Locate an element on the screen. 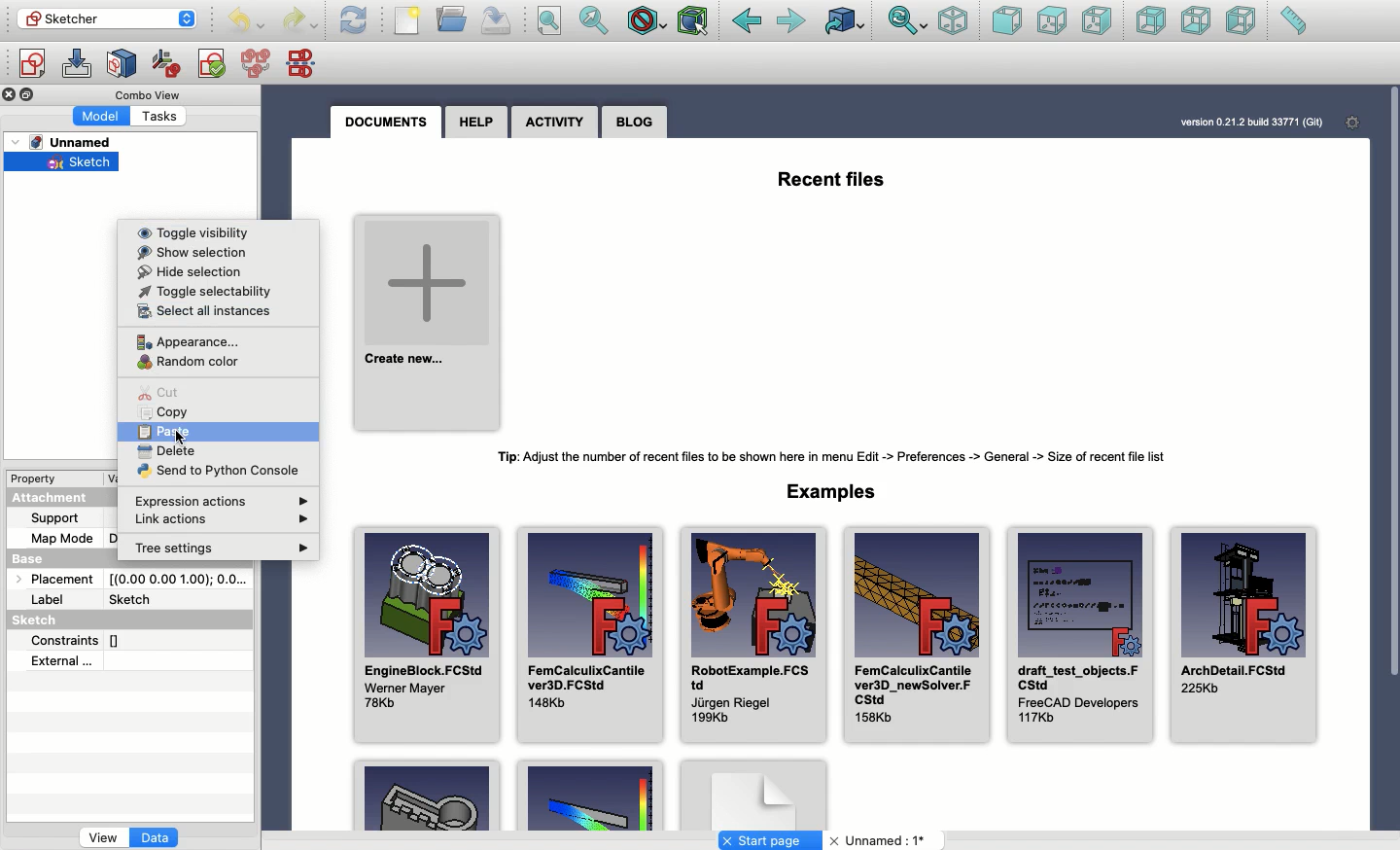 The width and height of the screenshot is (1400, 850). Unnamed is located at coordinates (69, 143).